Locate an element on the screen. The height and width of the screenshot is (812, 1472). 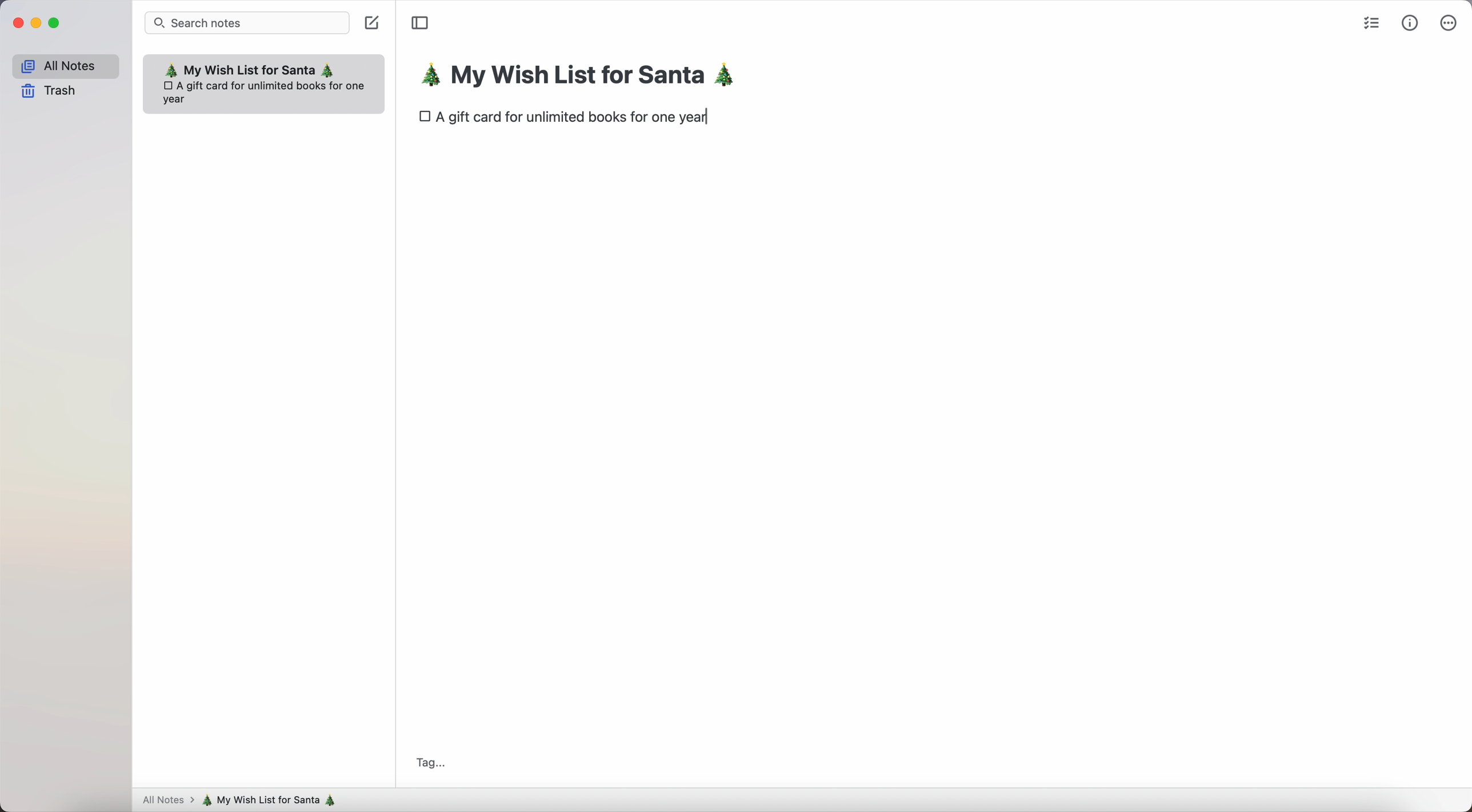
close Simplenote is located at coordinates (16, 23).